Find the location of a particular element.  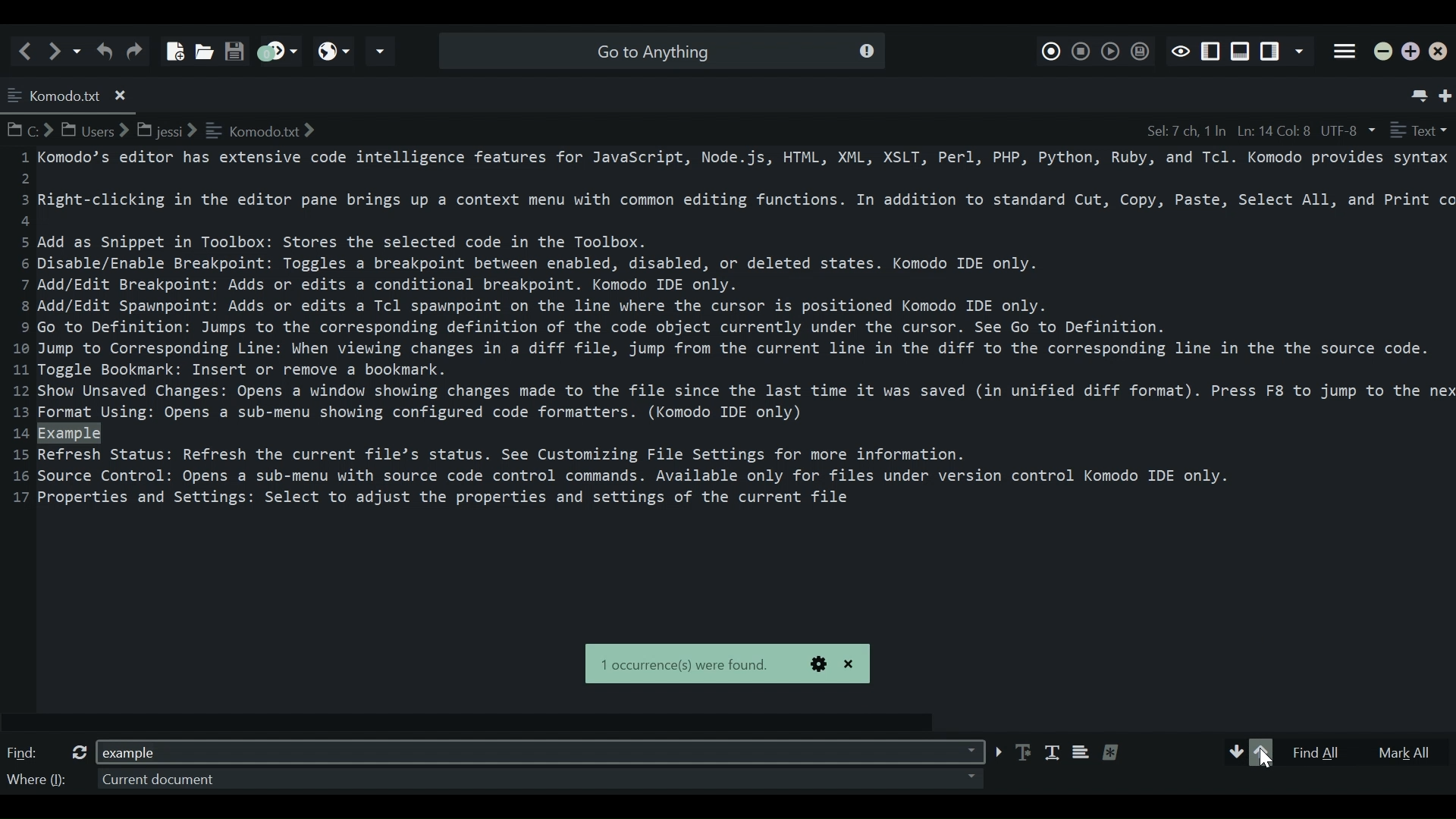

Find is located at coordinates (25, 753).